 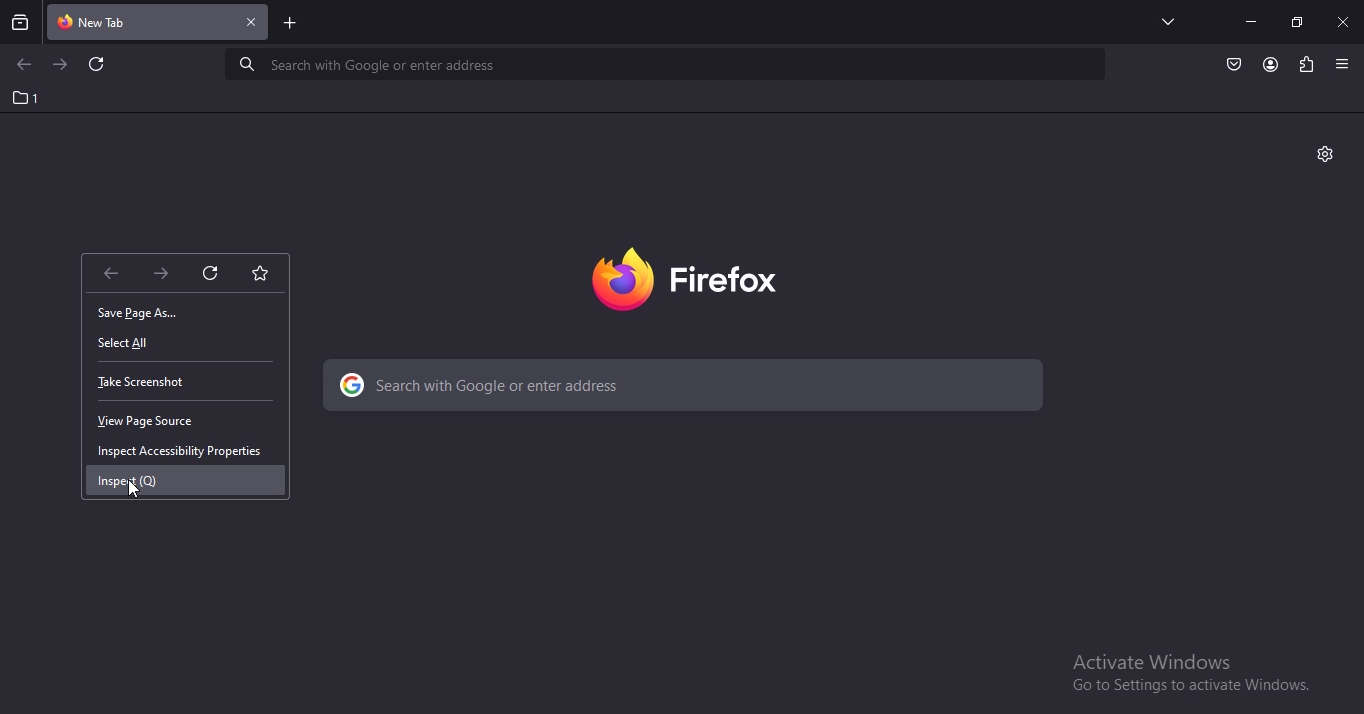 I want to click on go forward onepage, so click(x=161, y=274).